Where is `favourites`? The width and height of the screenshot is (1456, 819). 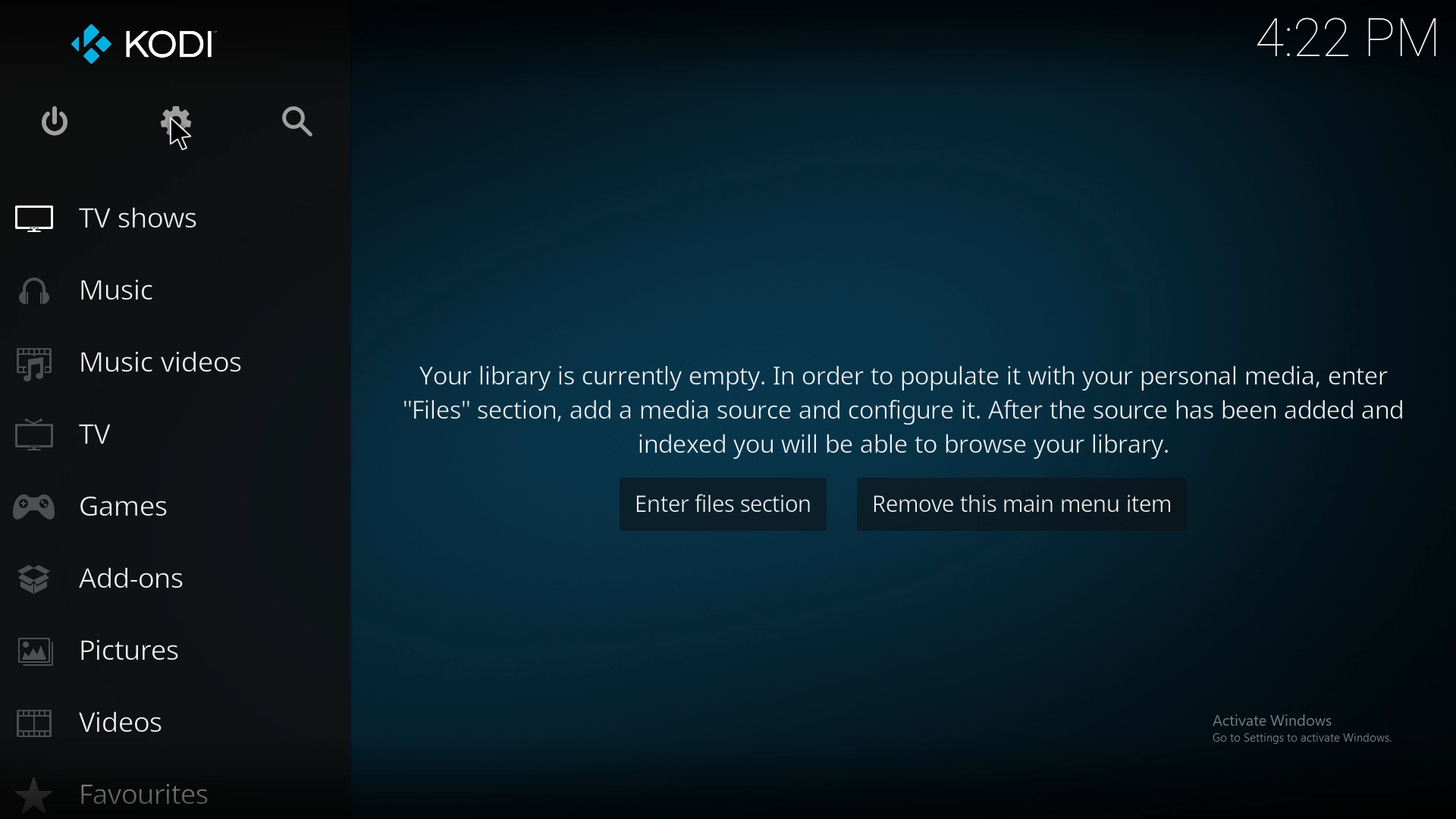 favourites is located at coordinates (142, 795).